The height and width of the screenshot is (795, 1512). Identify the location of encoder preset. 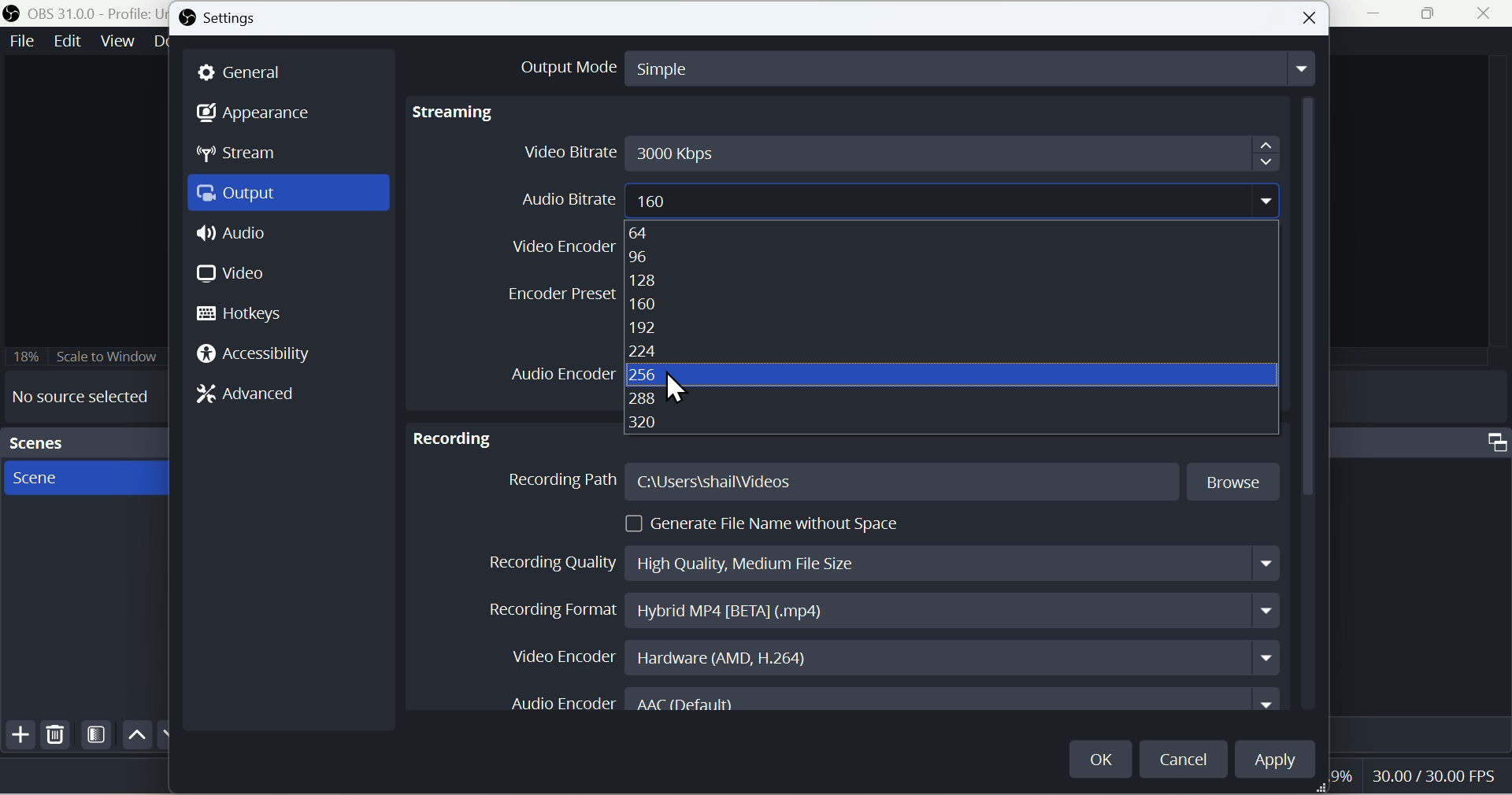
(560, 294).